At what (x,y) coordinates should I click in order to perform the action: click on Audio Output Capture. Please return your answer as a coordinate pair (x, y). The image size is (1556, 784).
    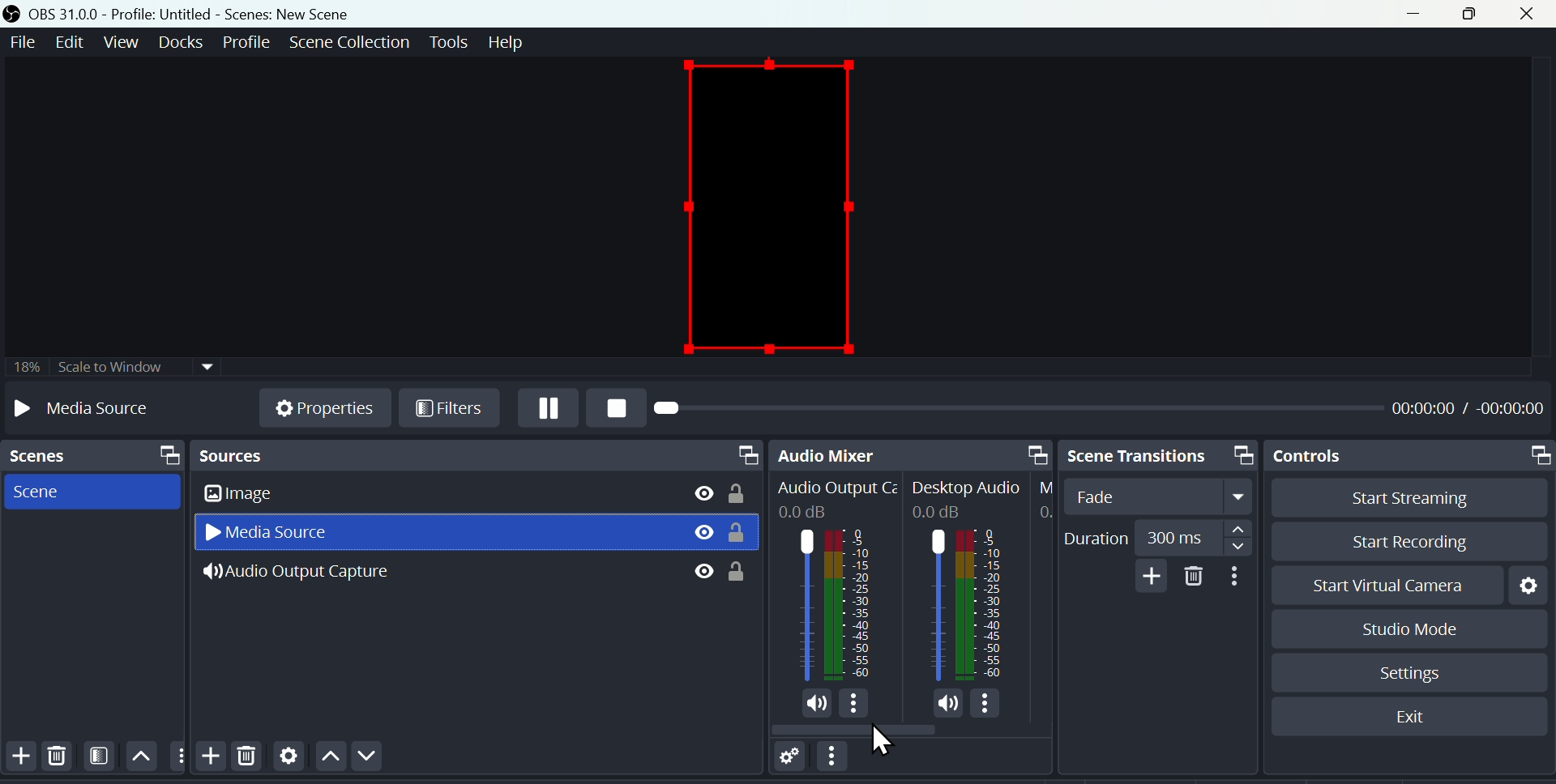
    Looking at the image, I should click on (834, 604).